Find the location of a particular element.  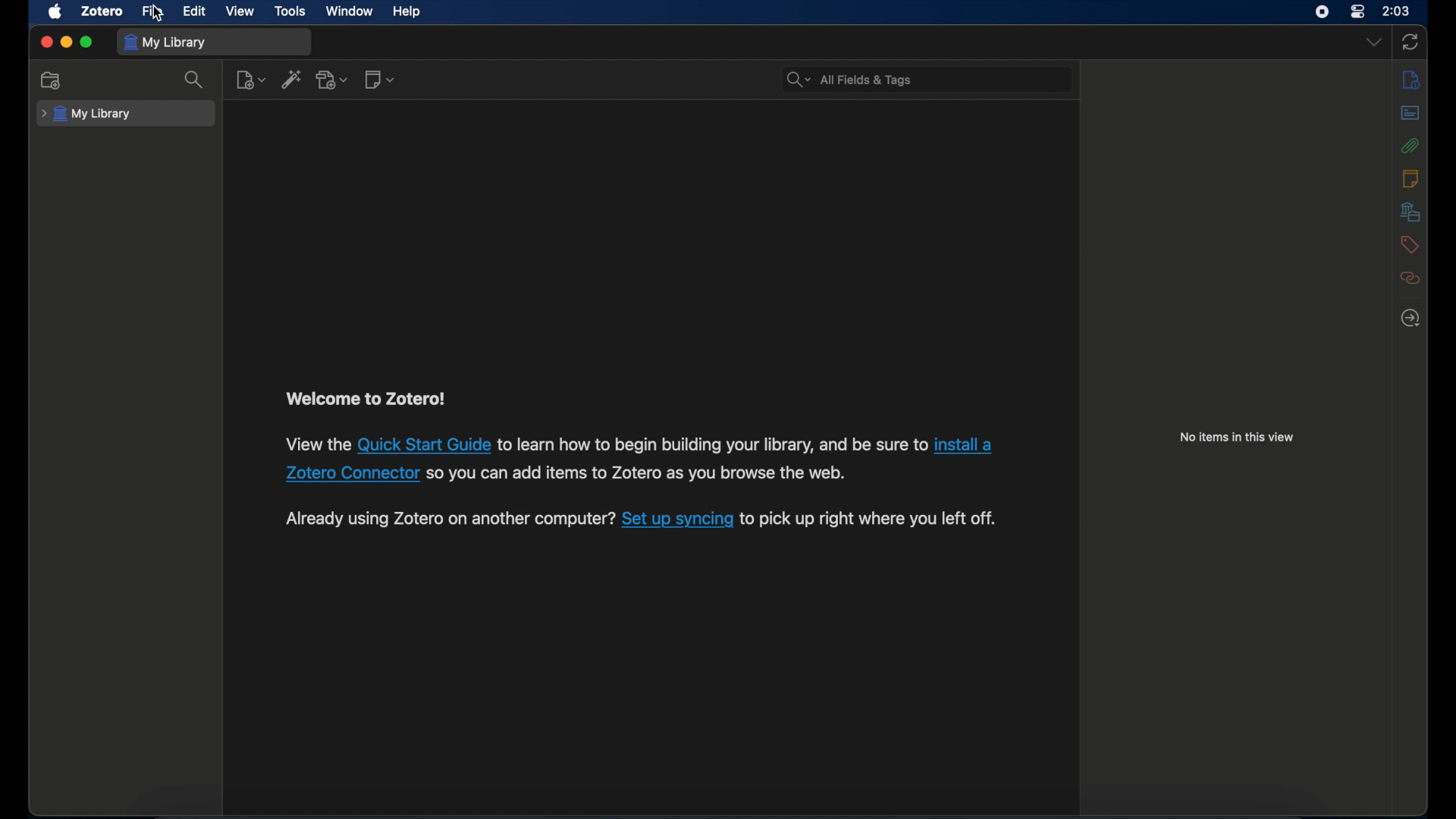

new collection is located at coordinates (52, 81).